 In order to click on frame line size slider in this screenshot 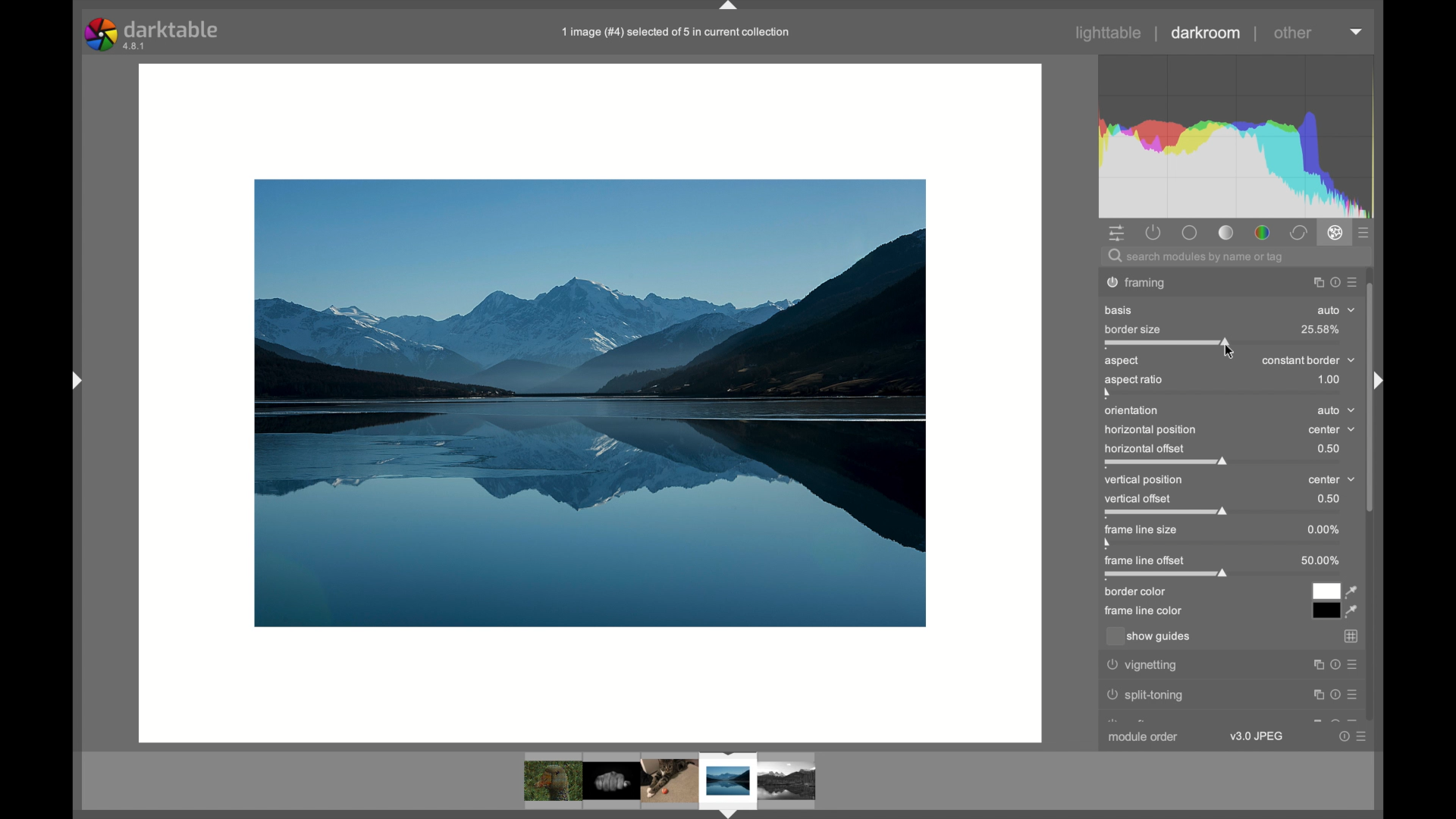, I will do `click(1141, 537)`.